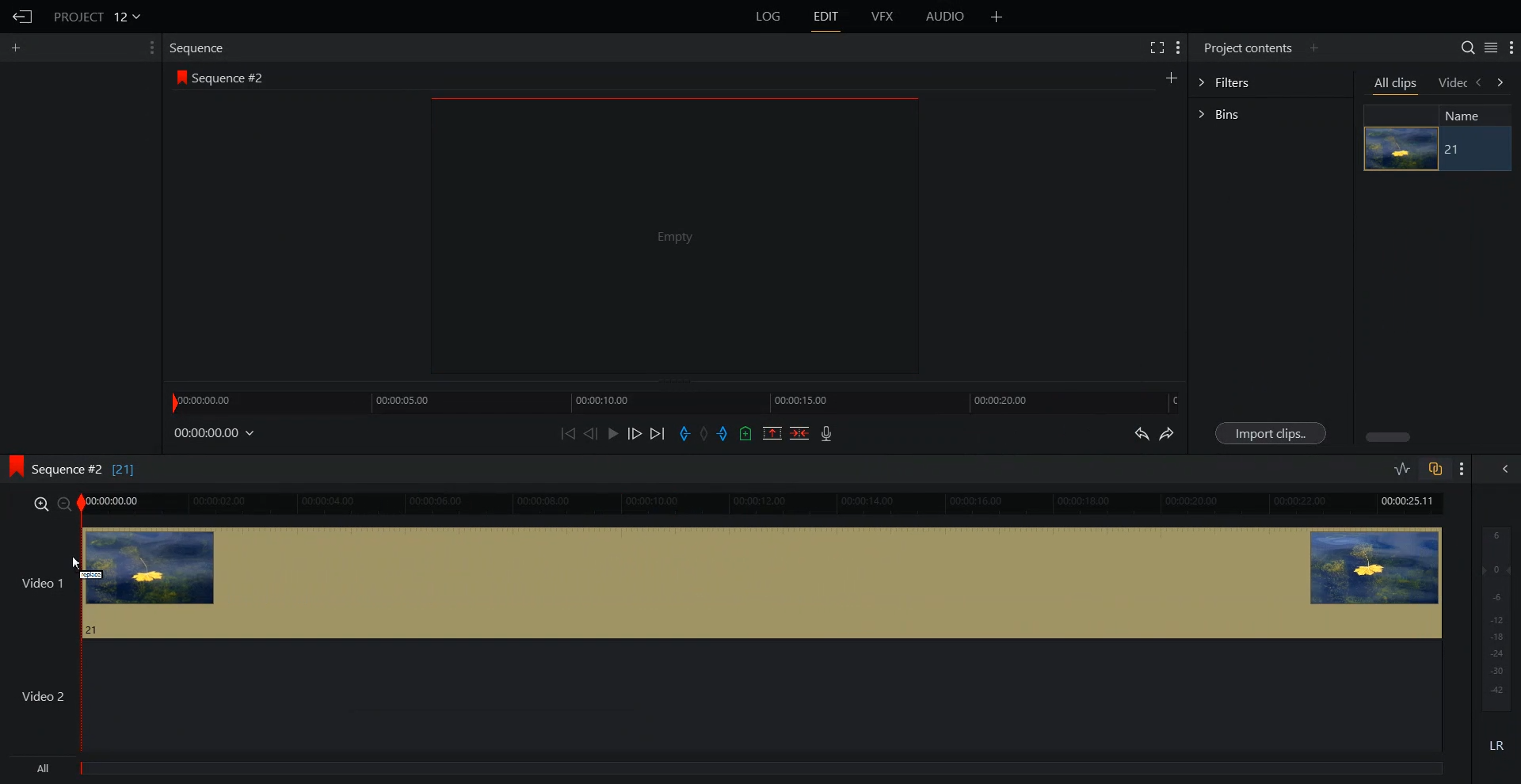  I want to click on Remove all mark, so click(706, 433).